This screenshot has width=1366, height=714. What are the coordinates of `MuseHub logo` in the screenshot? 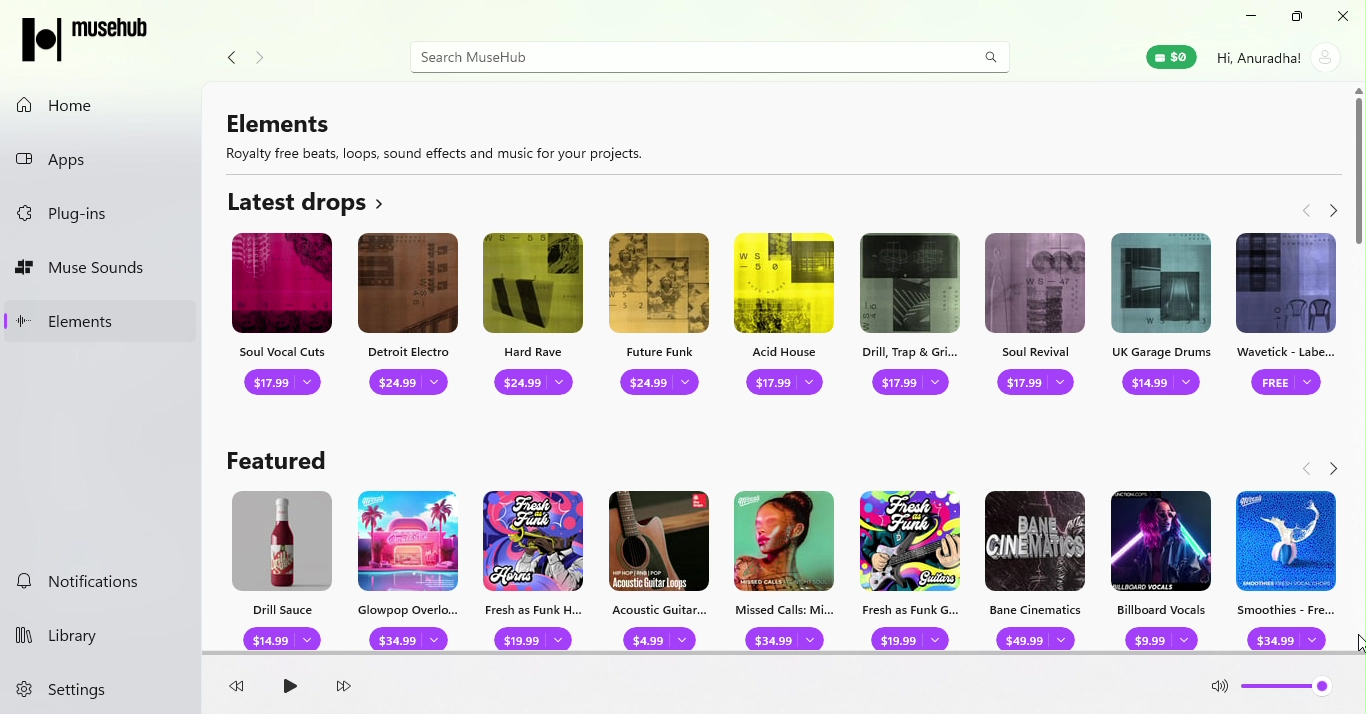 It's located at (90, 38).